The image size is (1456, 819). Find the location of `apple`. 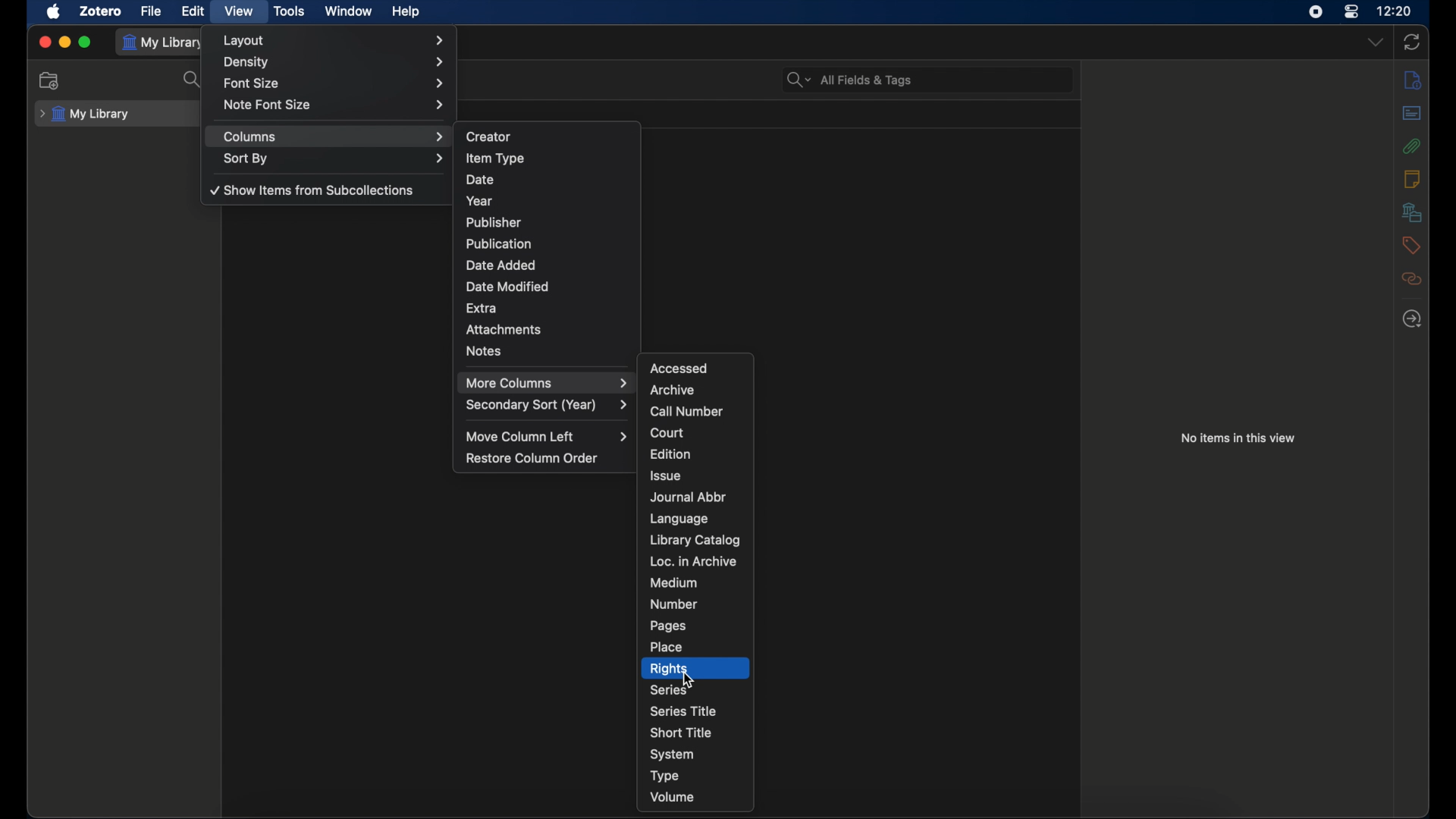

apple is located at coordinates (54, 12).